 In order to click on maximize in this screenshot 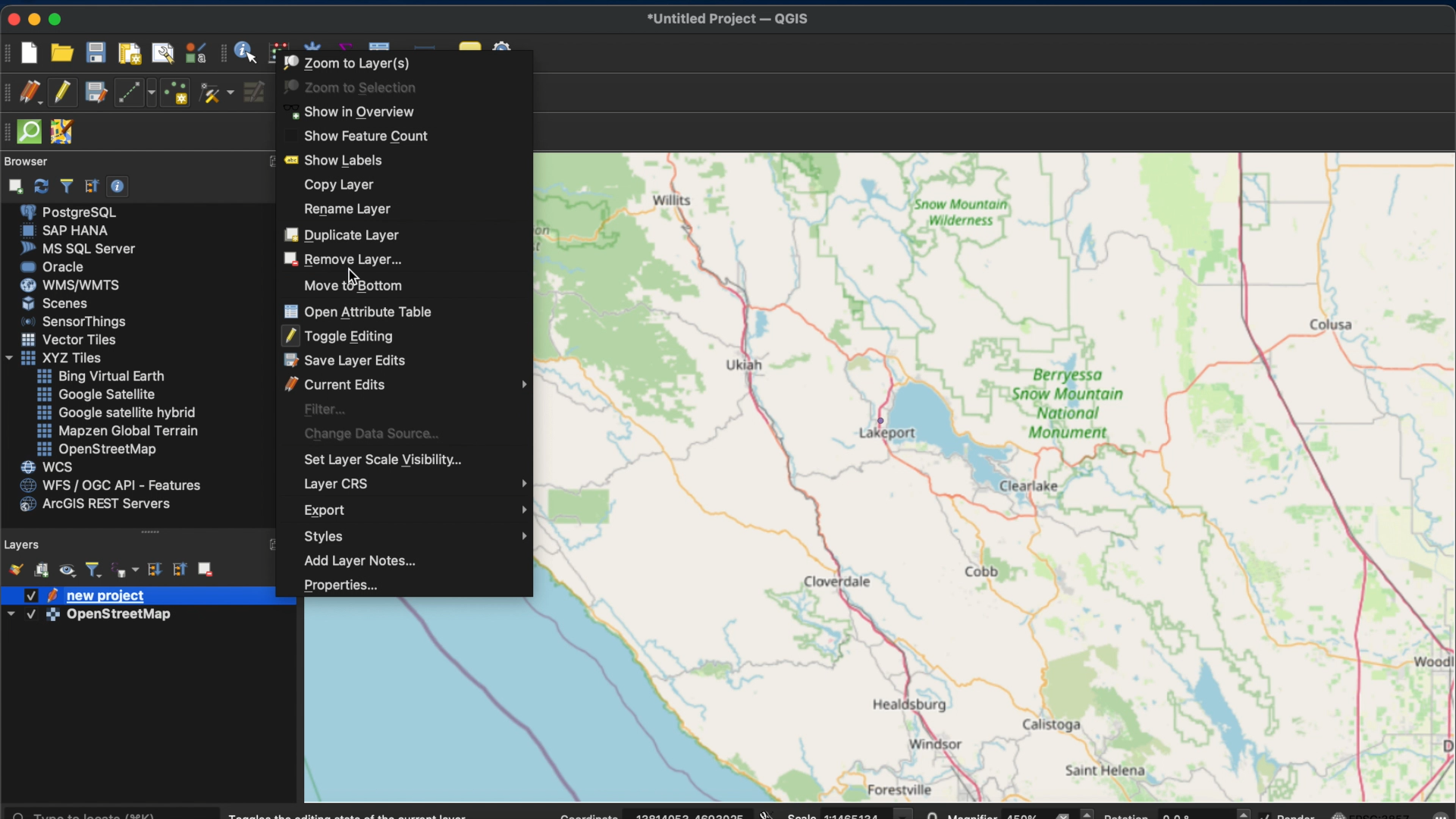, I will do `click(58, 18)`.